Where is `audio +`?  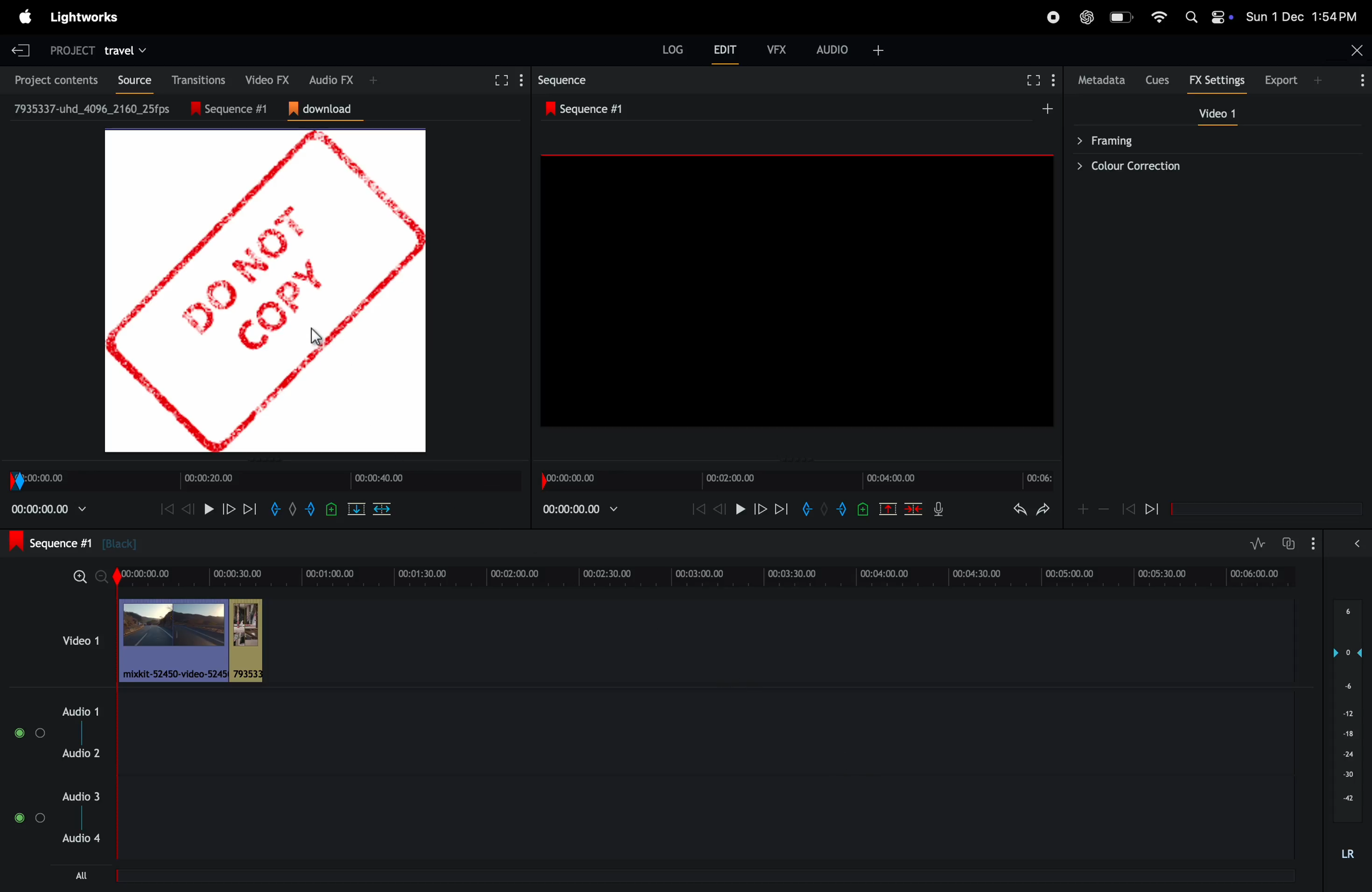
audio + is located at coordinates (833, 50).